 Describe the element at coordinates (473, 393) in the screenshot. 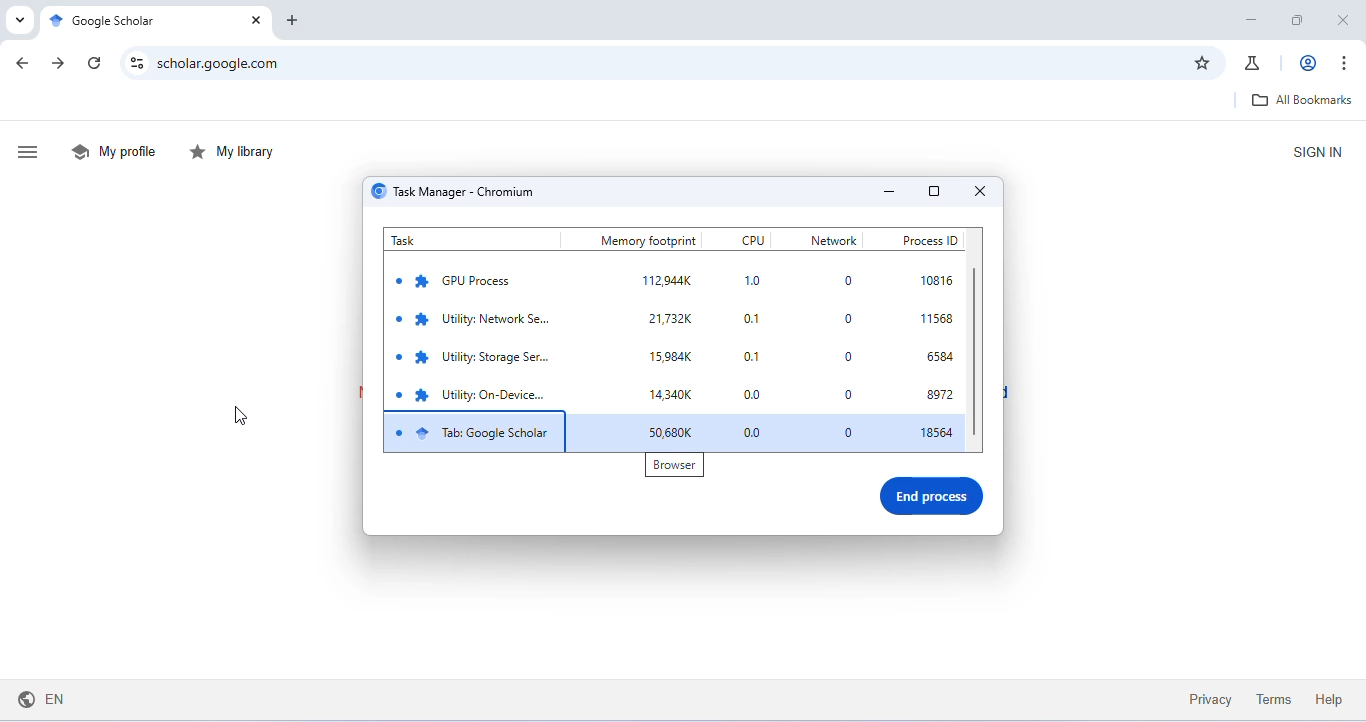

I see `Utility on-Device model service` at that location.